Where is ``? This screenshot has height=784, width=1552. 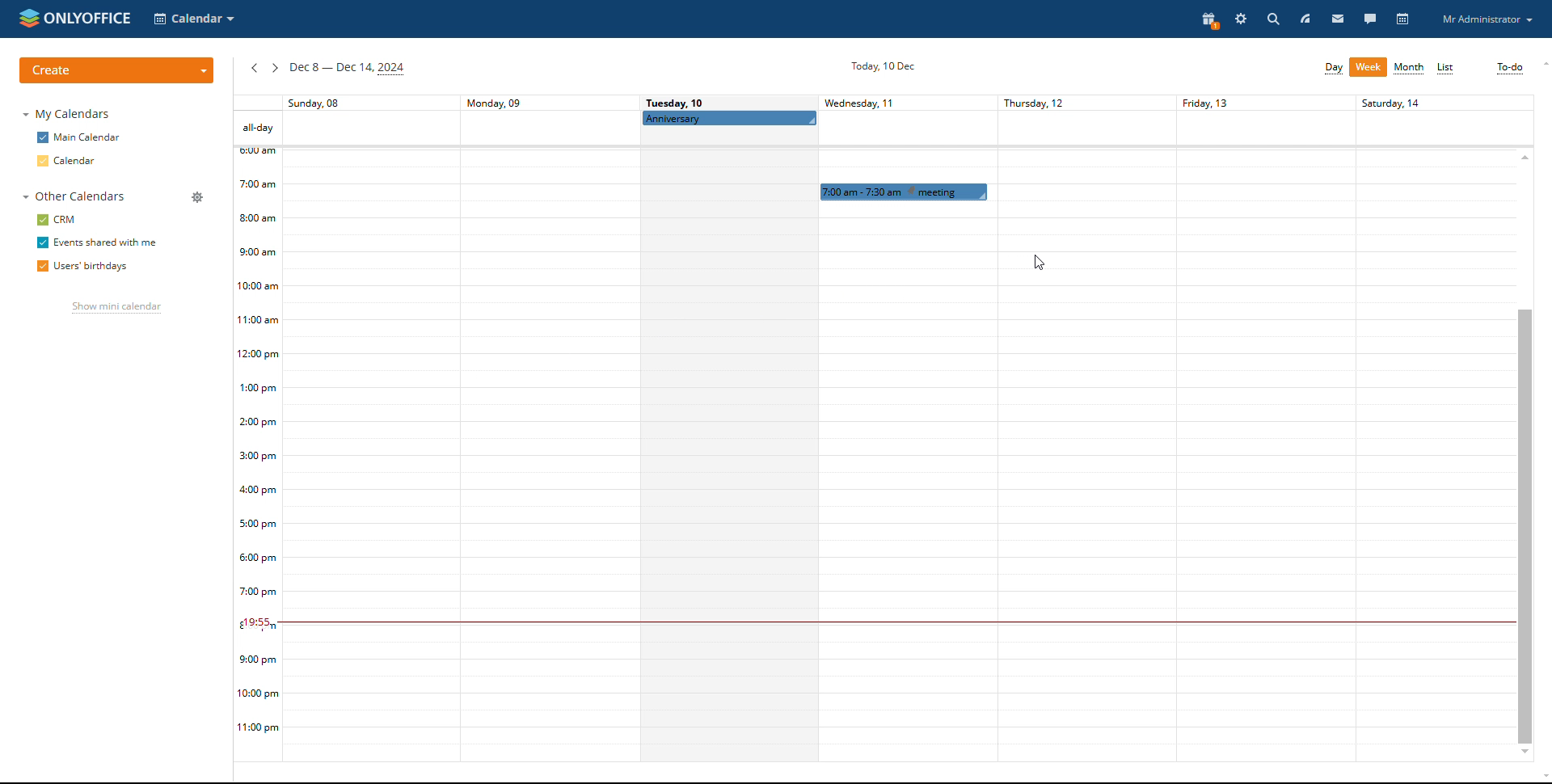  is located at coordinates (1432, 425).